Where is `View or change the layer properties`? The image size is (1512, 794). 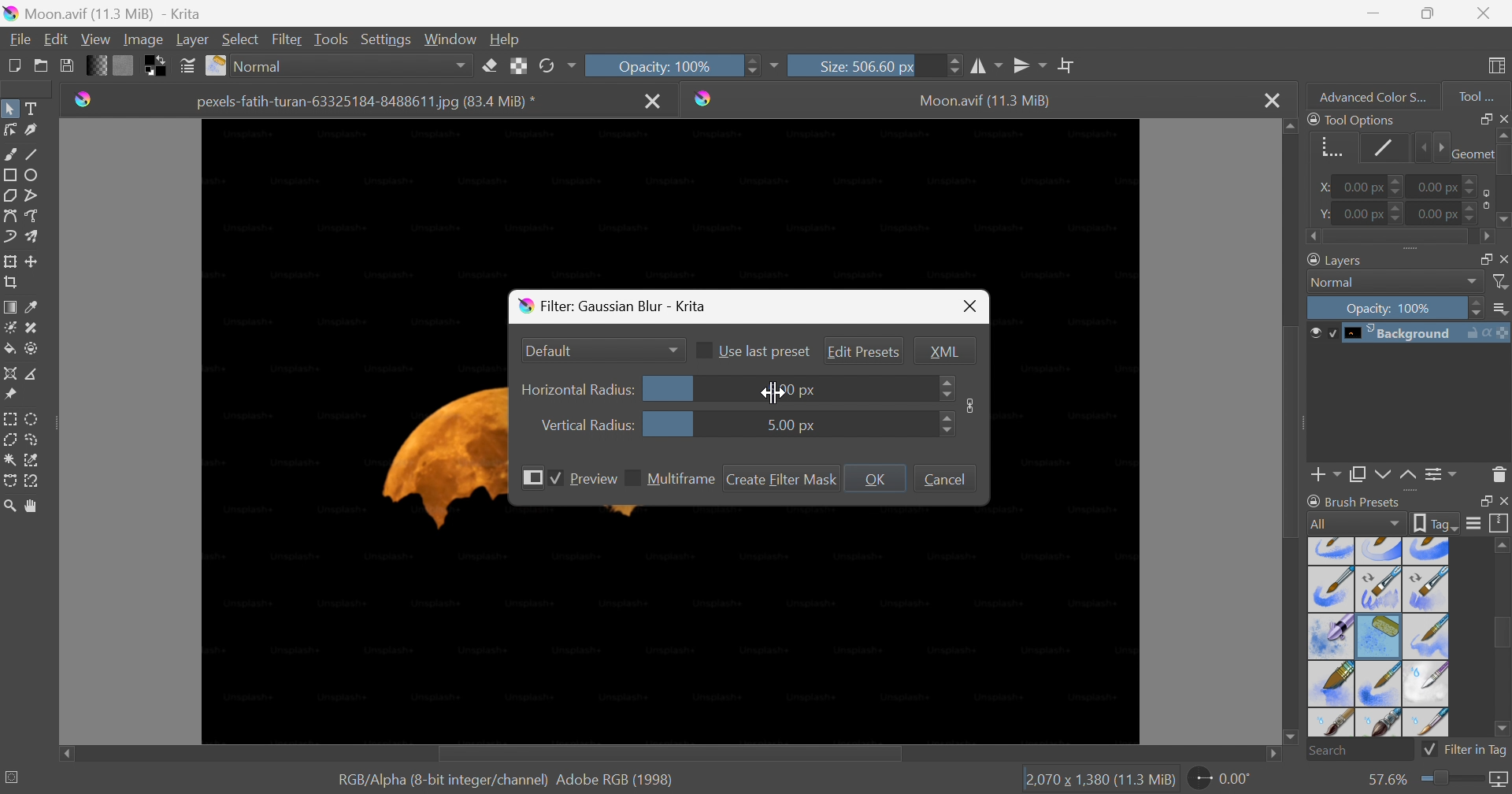 View or change the layer properties is located at coordinates (1442, 477).